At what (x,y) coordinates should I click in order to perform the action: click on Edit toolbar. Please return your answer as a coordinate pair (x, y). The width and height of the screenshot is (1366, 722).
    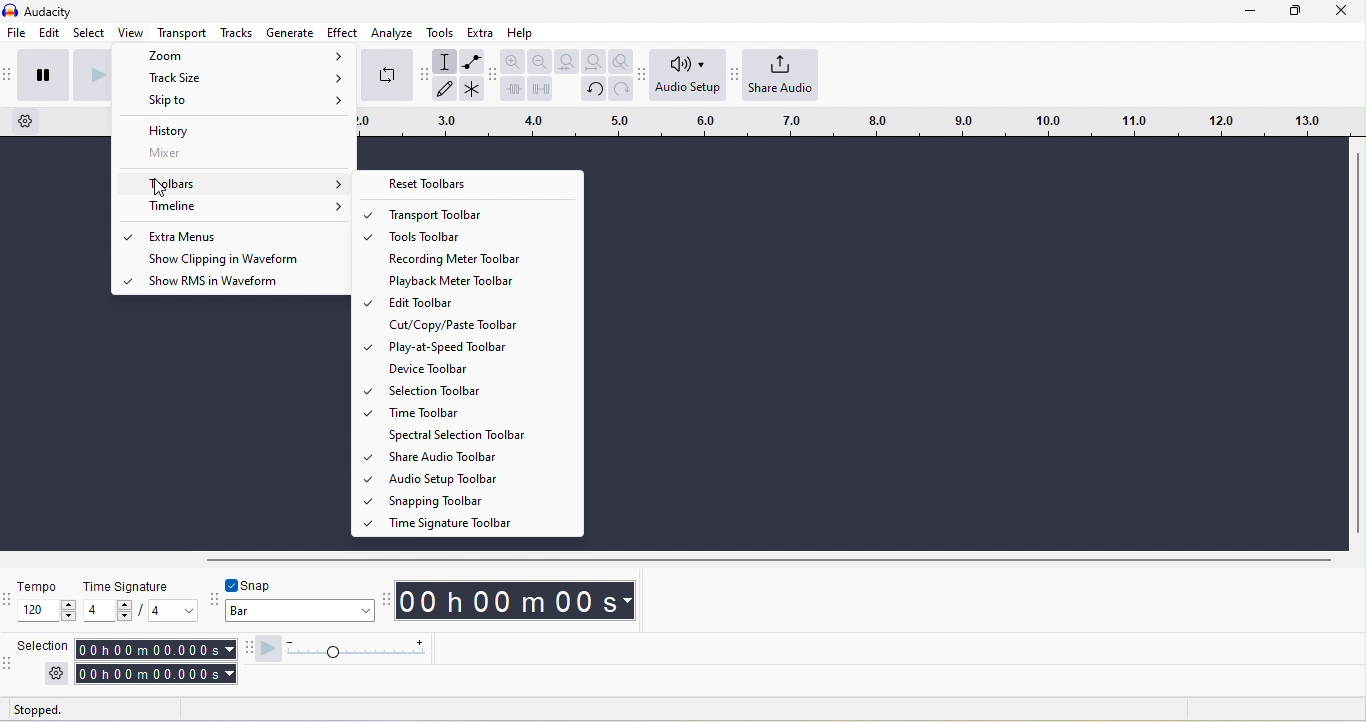
    Looking at the image, I should click on (479, 301).